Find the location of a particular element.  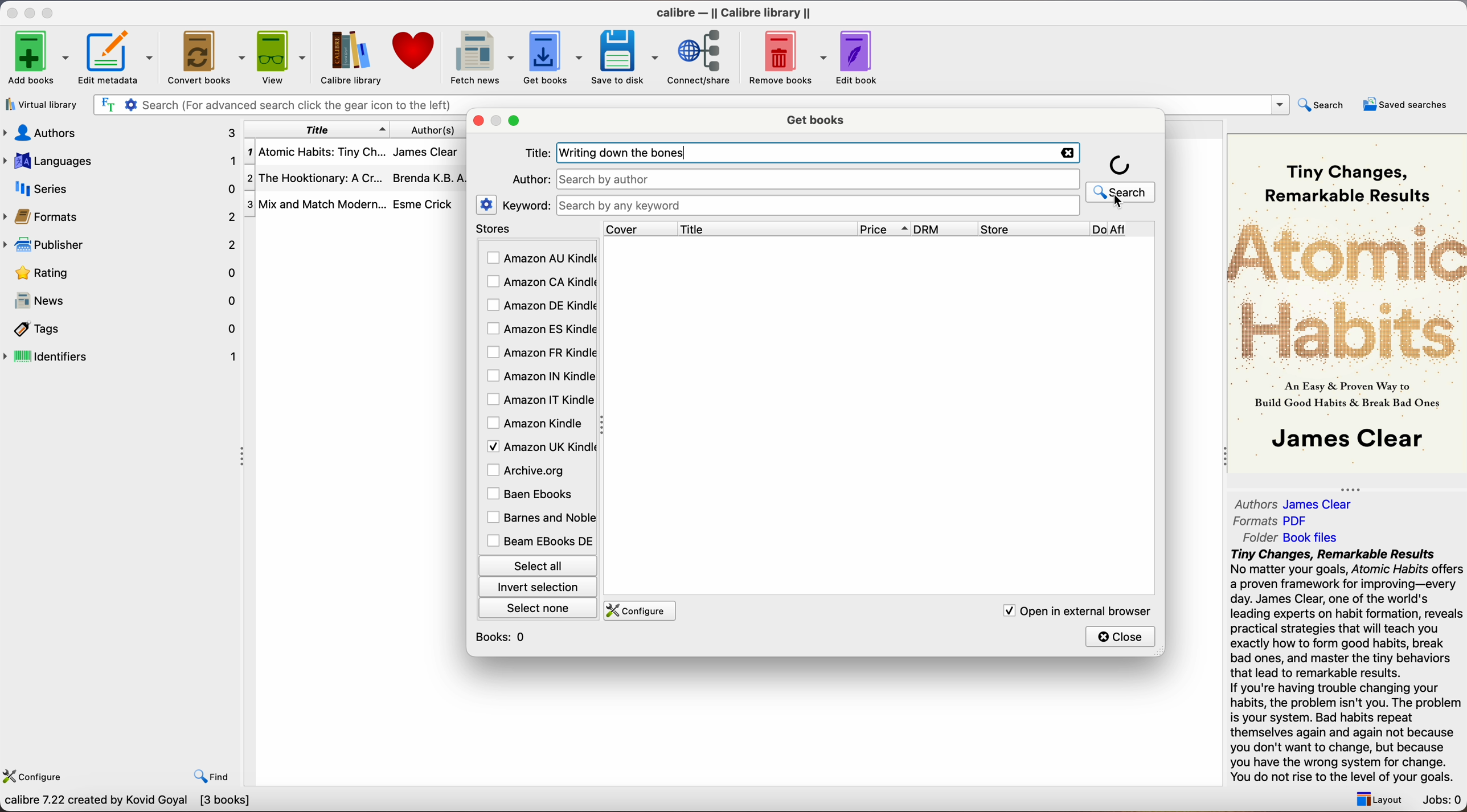

languages is located at coordinates (119, 160).